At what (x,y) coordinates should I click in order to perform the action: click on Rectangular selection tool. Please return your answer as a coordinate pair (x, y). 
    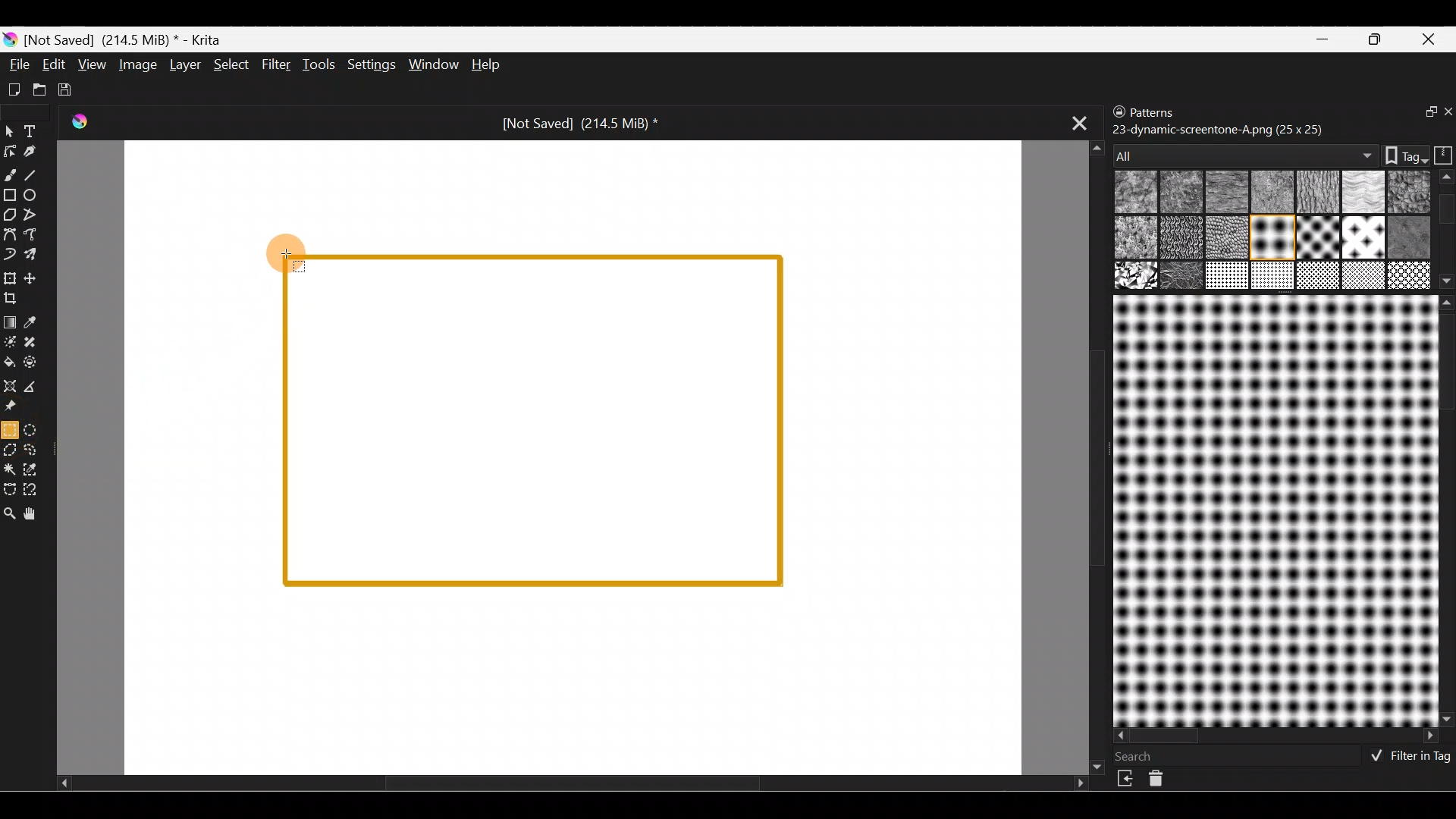
    Looking at the image, I should click on (9, 429).